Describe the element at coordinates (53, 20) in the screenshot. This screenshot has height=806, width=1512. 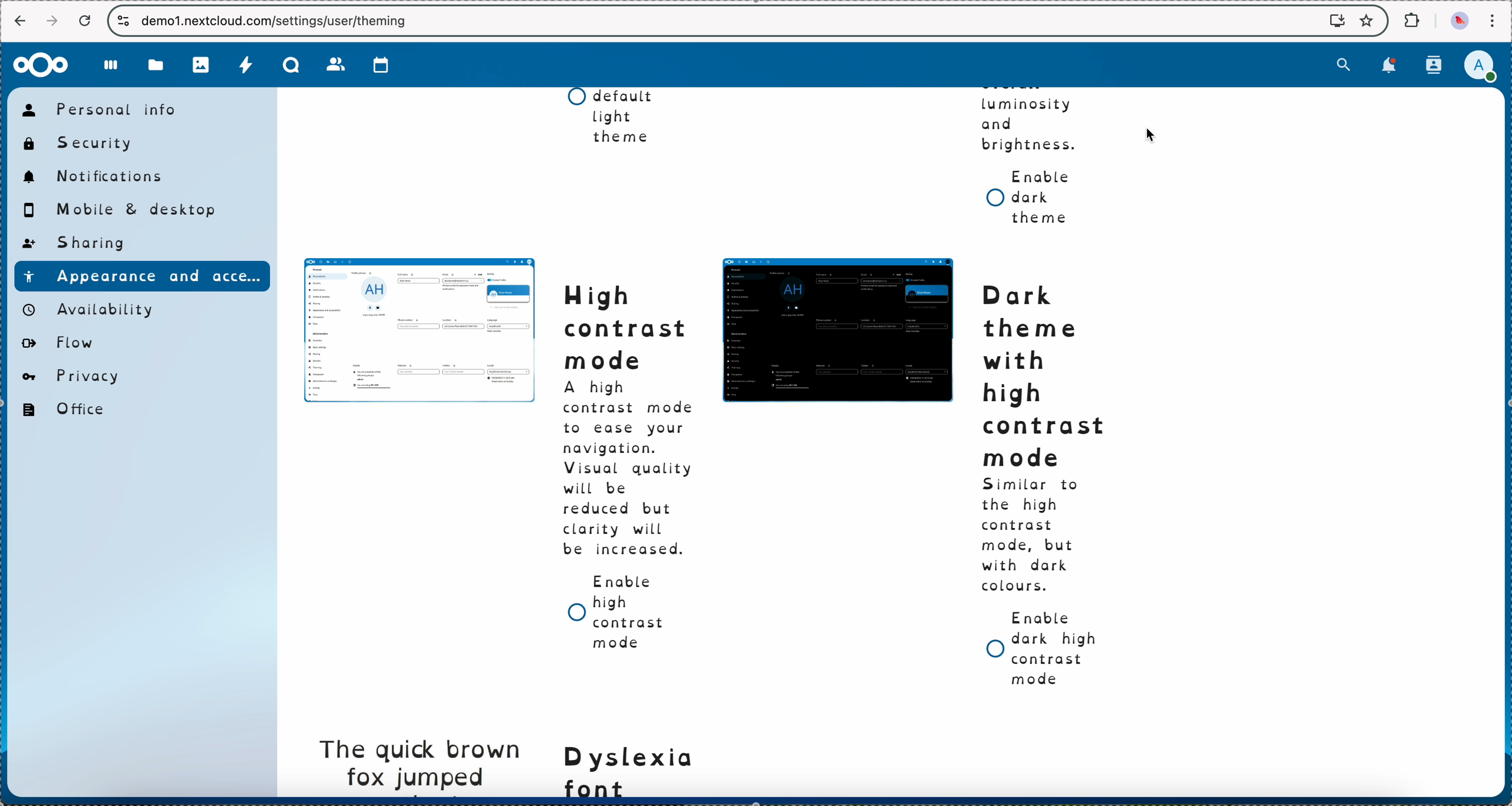
I see `navigate foward` at that location.